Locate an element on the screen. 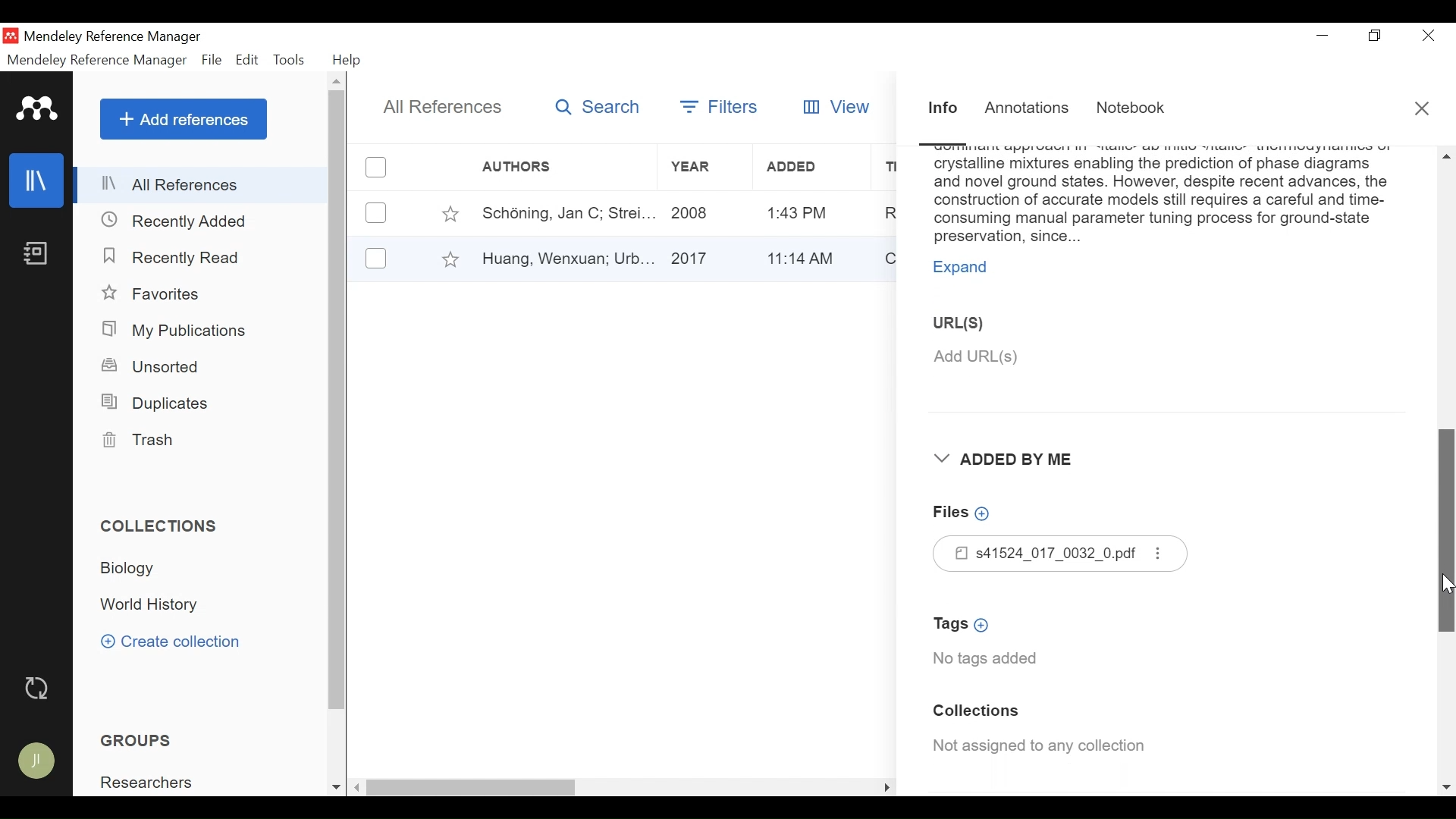 The height and width of the screenshot is (819, 1456). Trash is located at coordinates (136, 440).